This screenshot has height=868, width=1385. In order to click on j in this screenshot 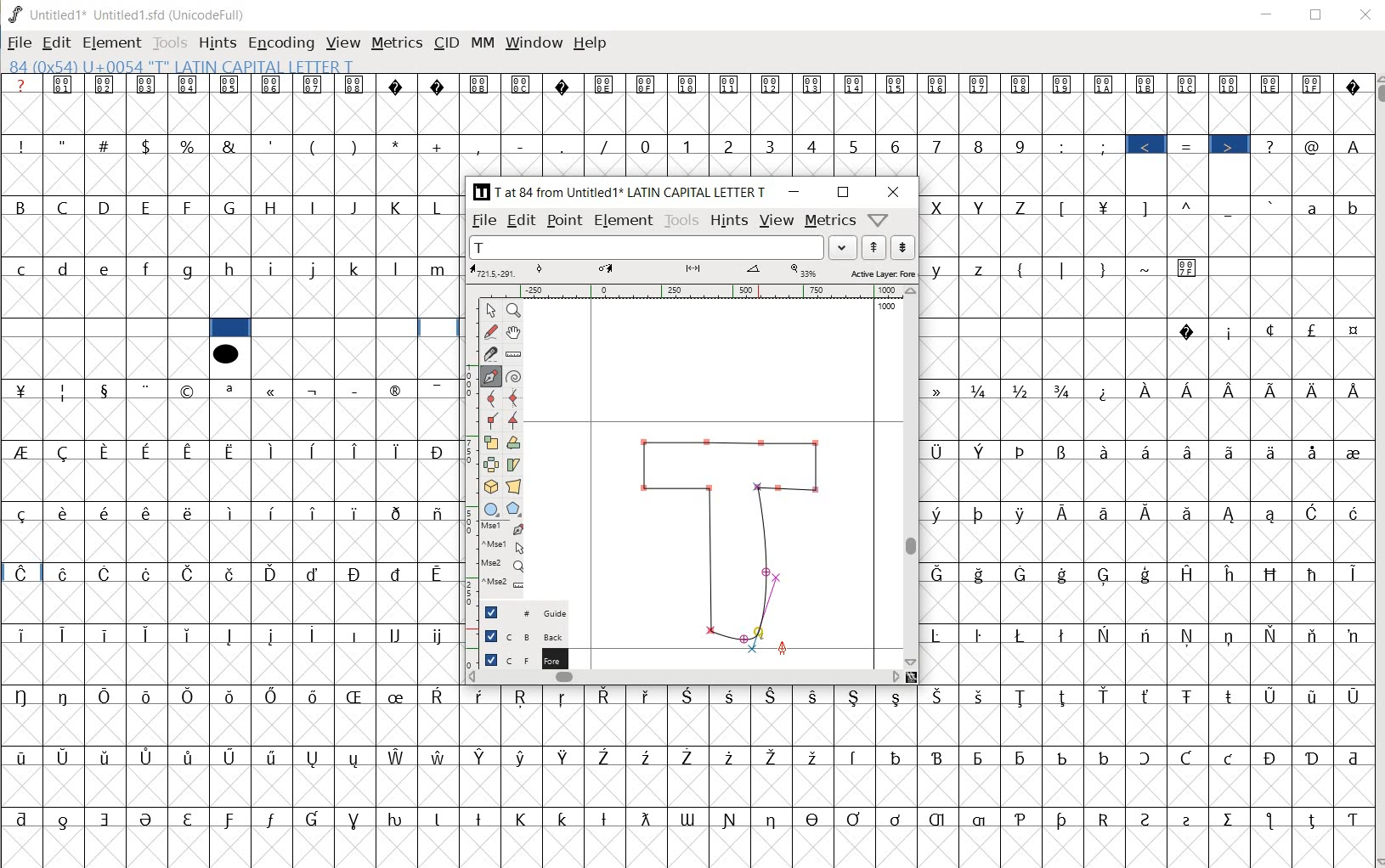, I will do `click(315, 268)`.